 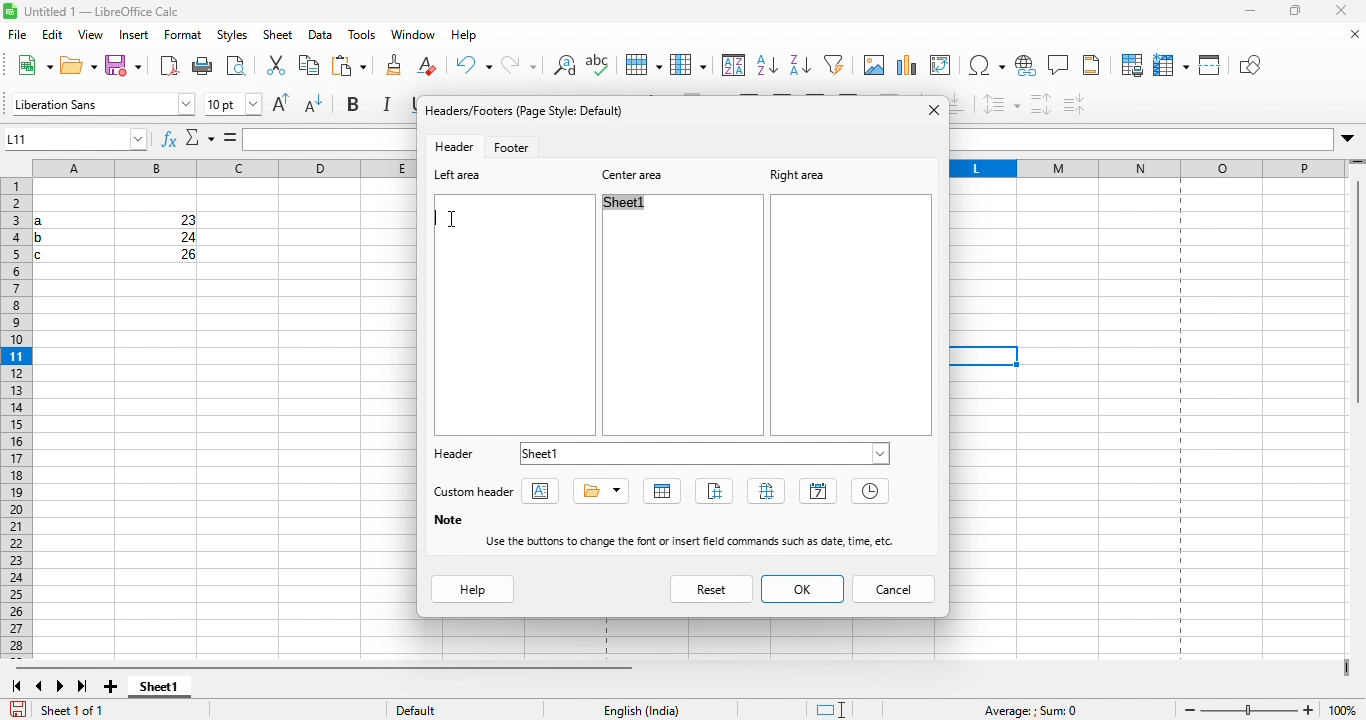 I want to click on page, so click(x=714, y=487).